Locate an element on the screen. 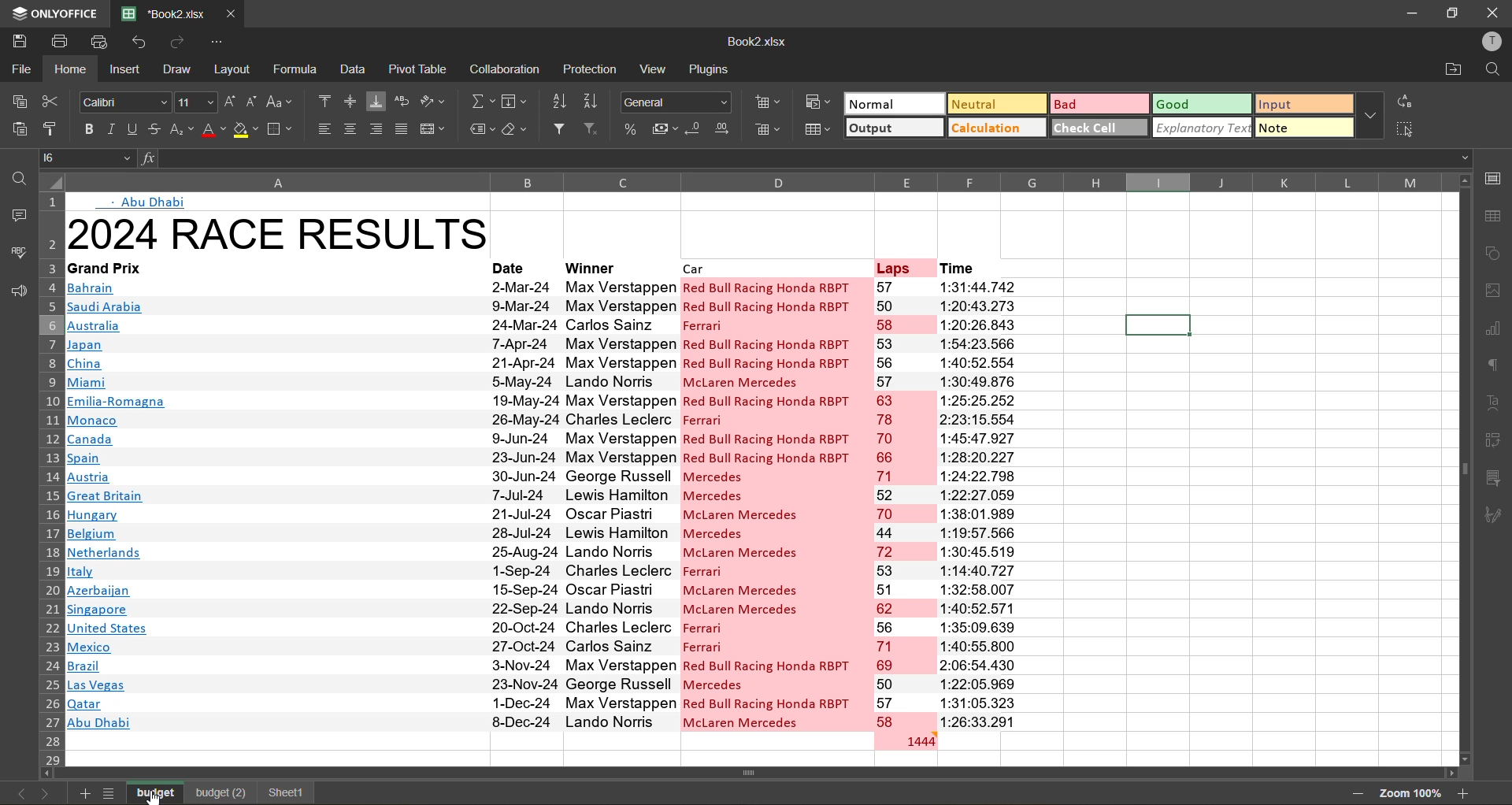  borders is located at coordinates (282, 129).